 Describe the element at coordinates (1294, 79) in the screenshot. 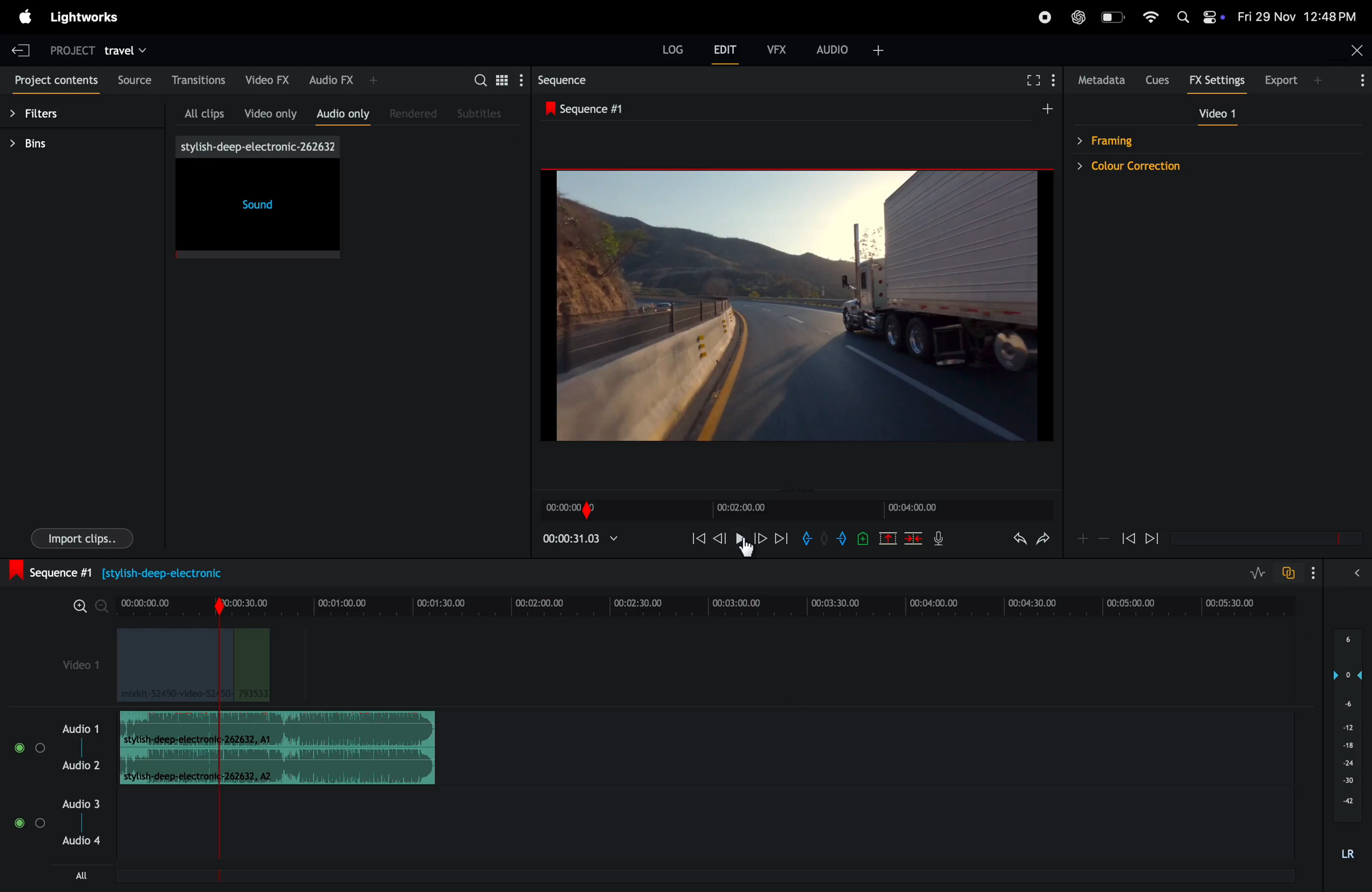

I see `export` at that location.